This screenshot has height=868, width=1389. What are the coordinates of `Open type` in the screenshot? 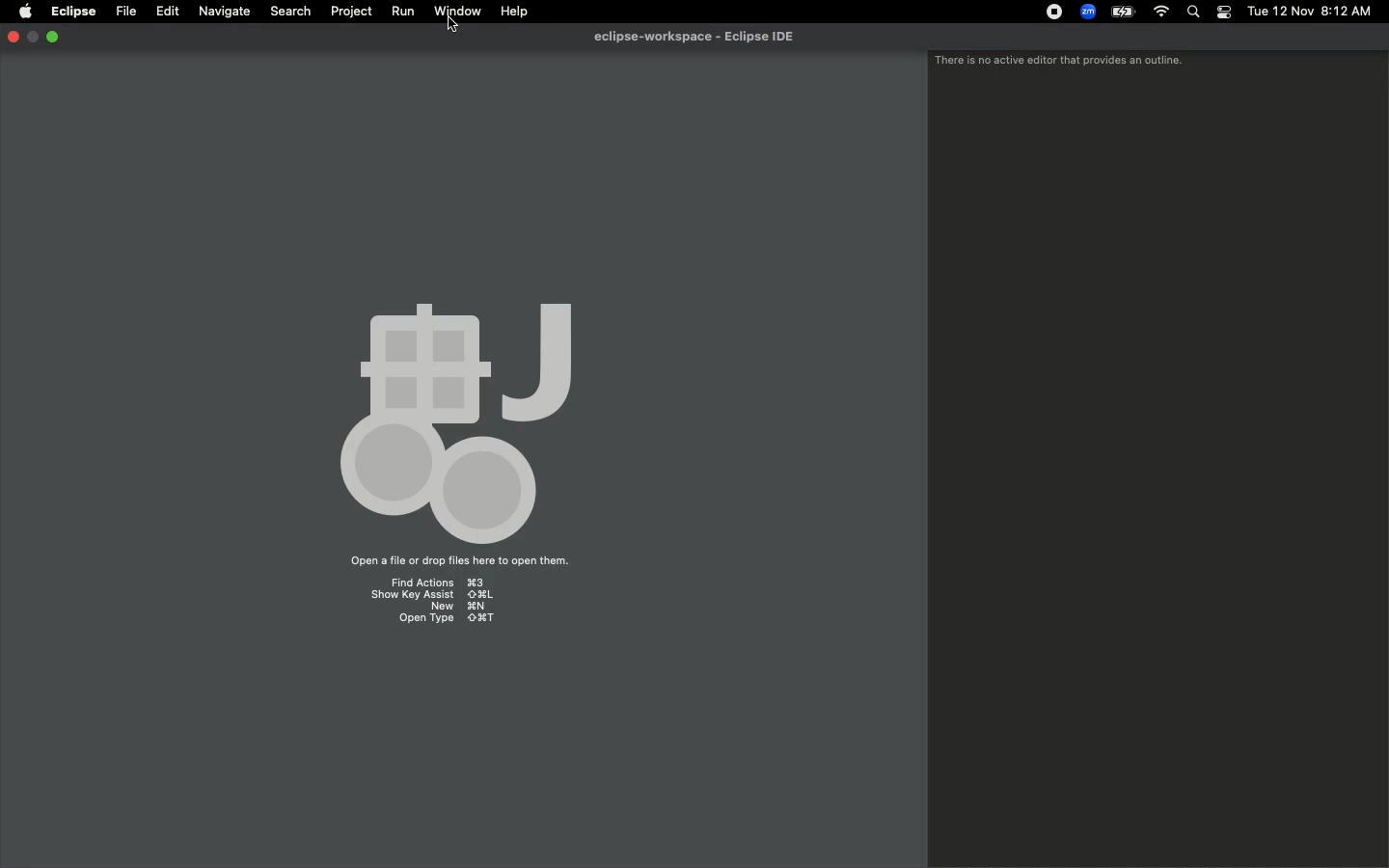 It's located at (446, 621).